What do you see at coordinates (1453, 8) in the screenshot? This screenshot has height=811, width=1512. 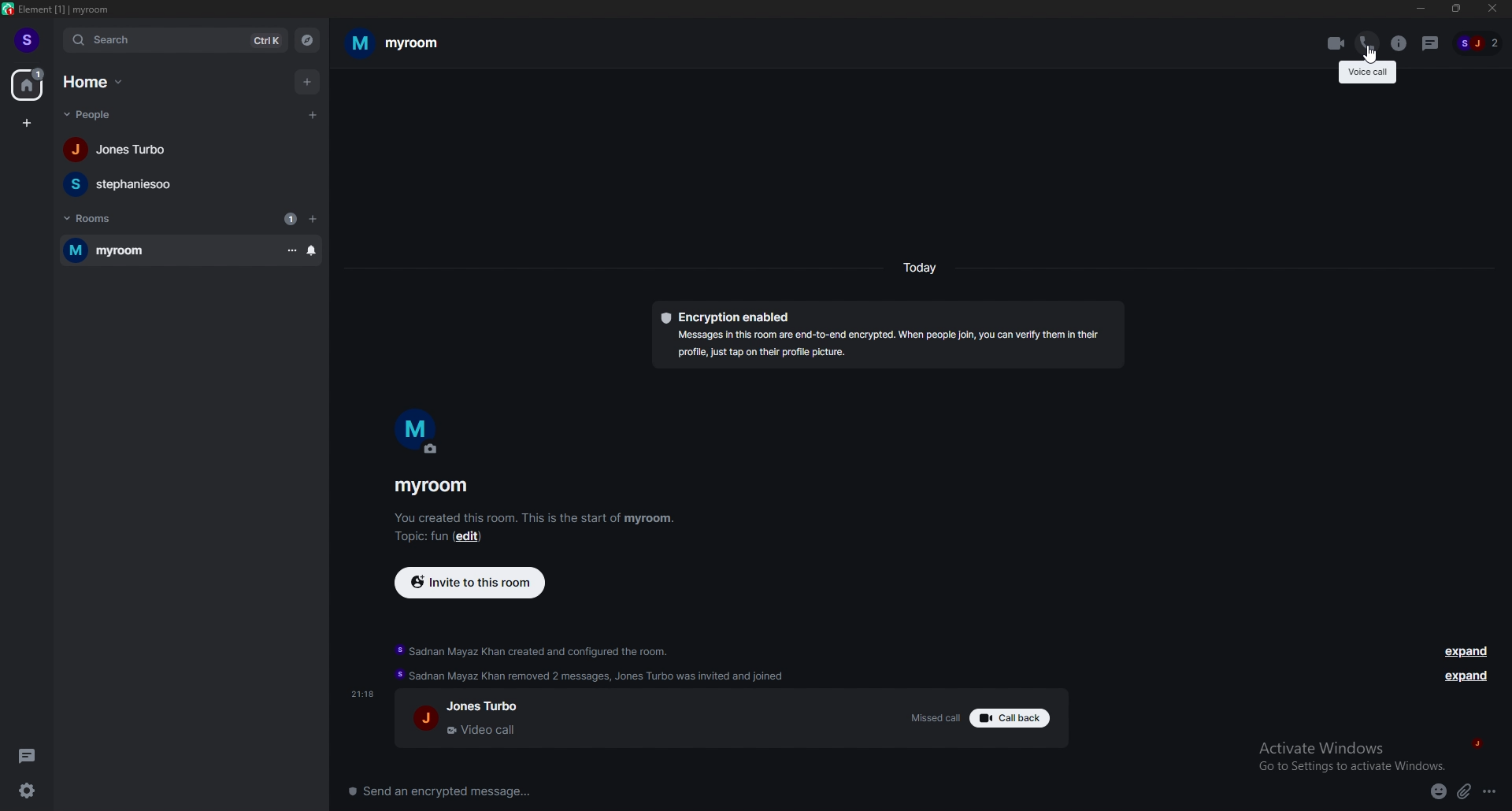 I see `resize` at bounding box center [1453, 8].